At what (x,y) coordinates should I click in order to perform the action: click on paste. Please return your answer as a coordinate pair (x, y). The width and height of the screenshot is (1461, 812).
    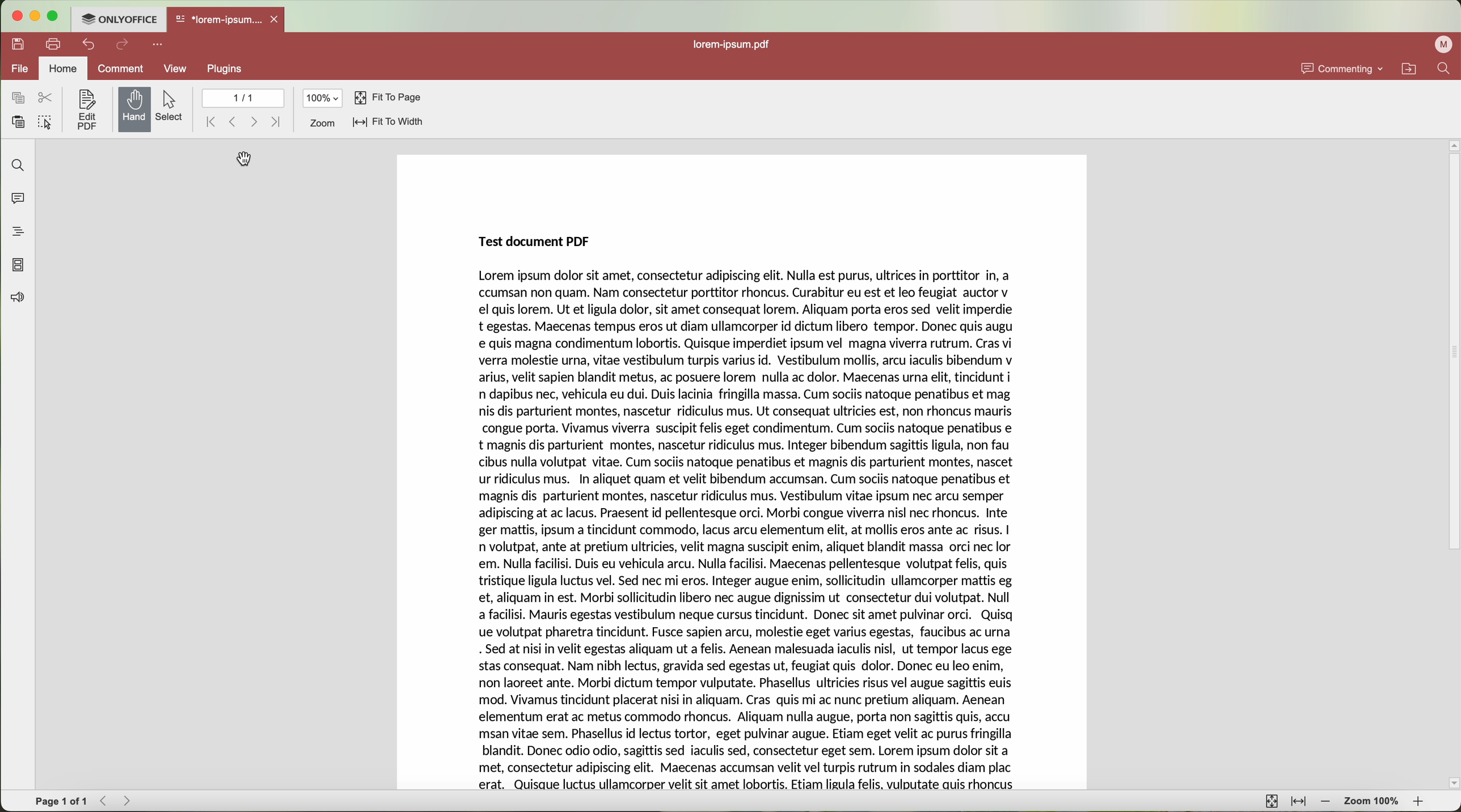
    Looking at the image, I should click on (14, 122).